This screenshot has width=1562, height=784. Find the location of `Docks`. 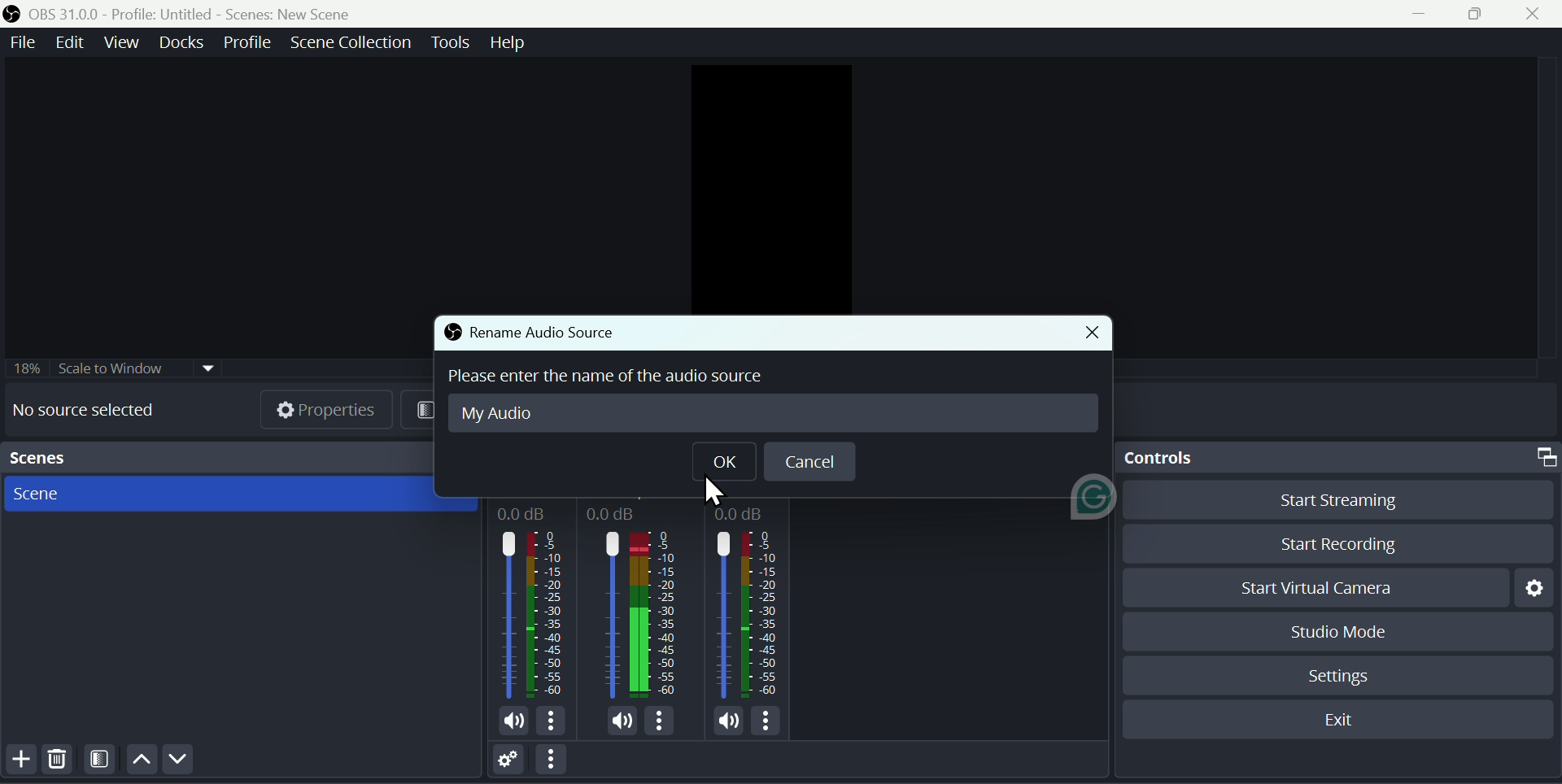

Docks is located at coordinates (179, 41).